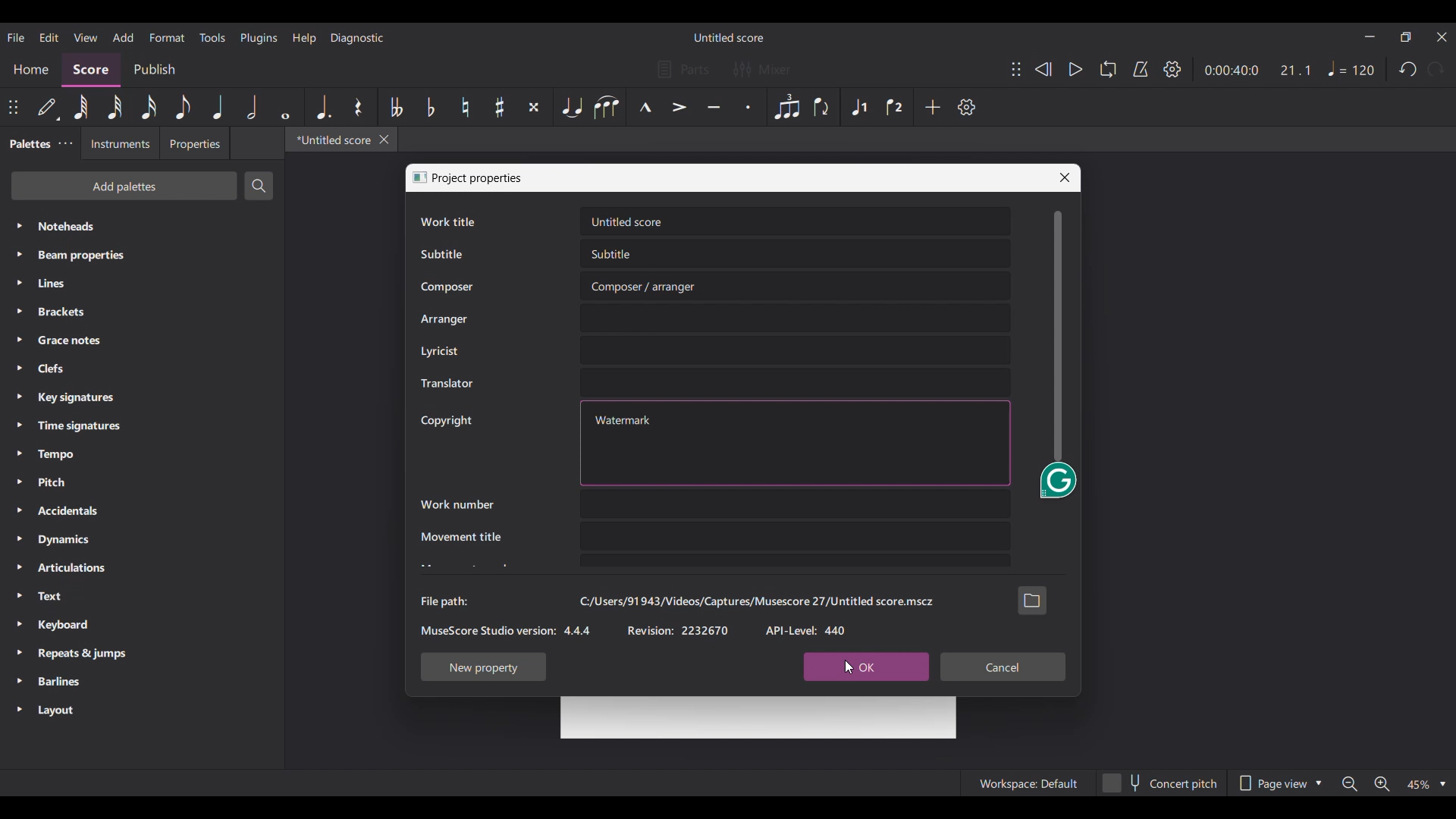 This screenshot has height=819, width=1456. Describe the element at coordinates (49, 108) in the screenshot. I see `Default` at that location.